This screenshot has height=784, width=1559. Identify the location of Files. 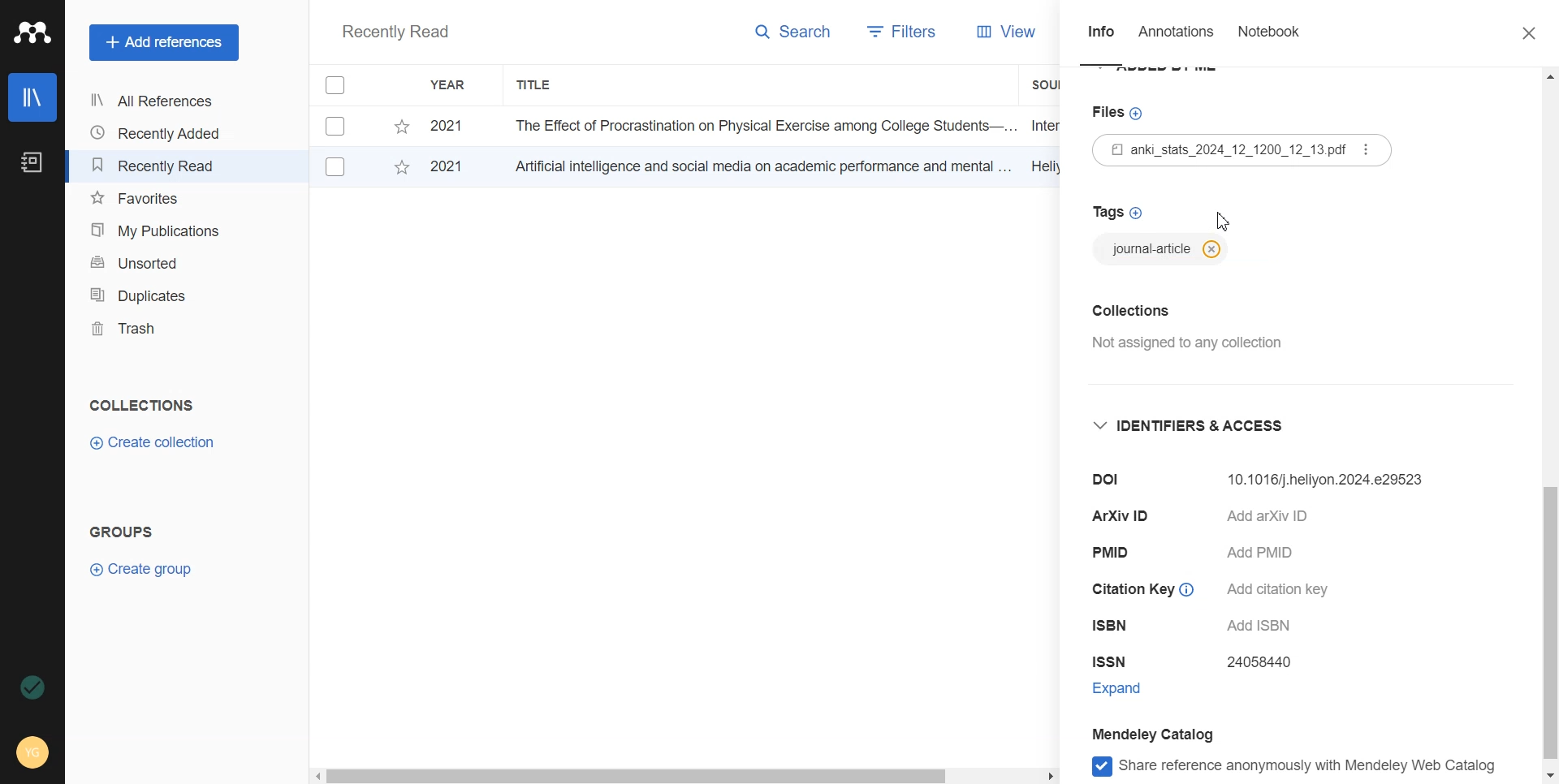
(1220, 151).